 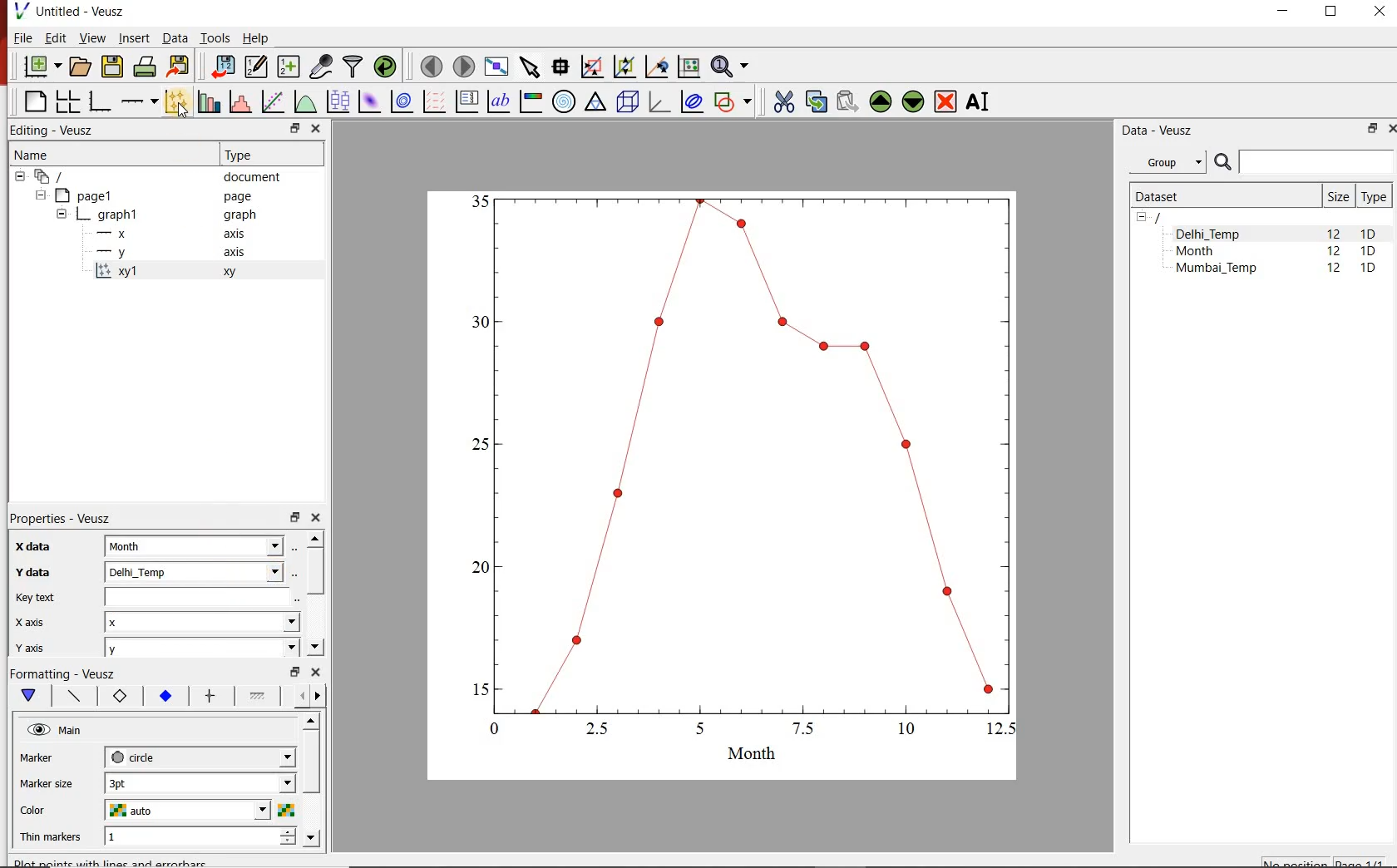 What do you see at coordinates (1334, 253) in the screenshot?
I see `12` at bounding box center [1334, 253].